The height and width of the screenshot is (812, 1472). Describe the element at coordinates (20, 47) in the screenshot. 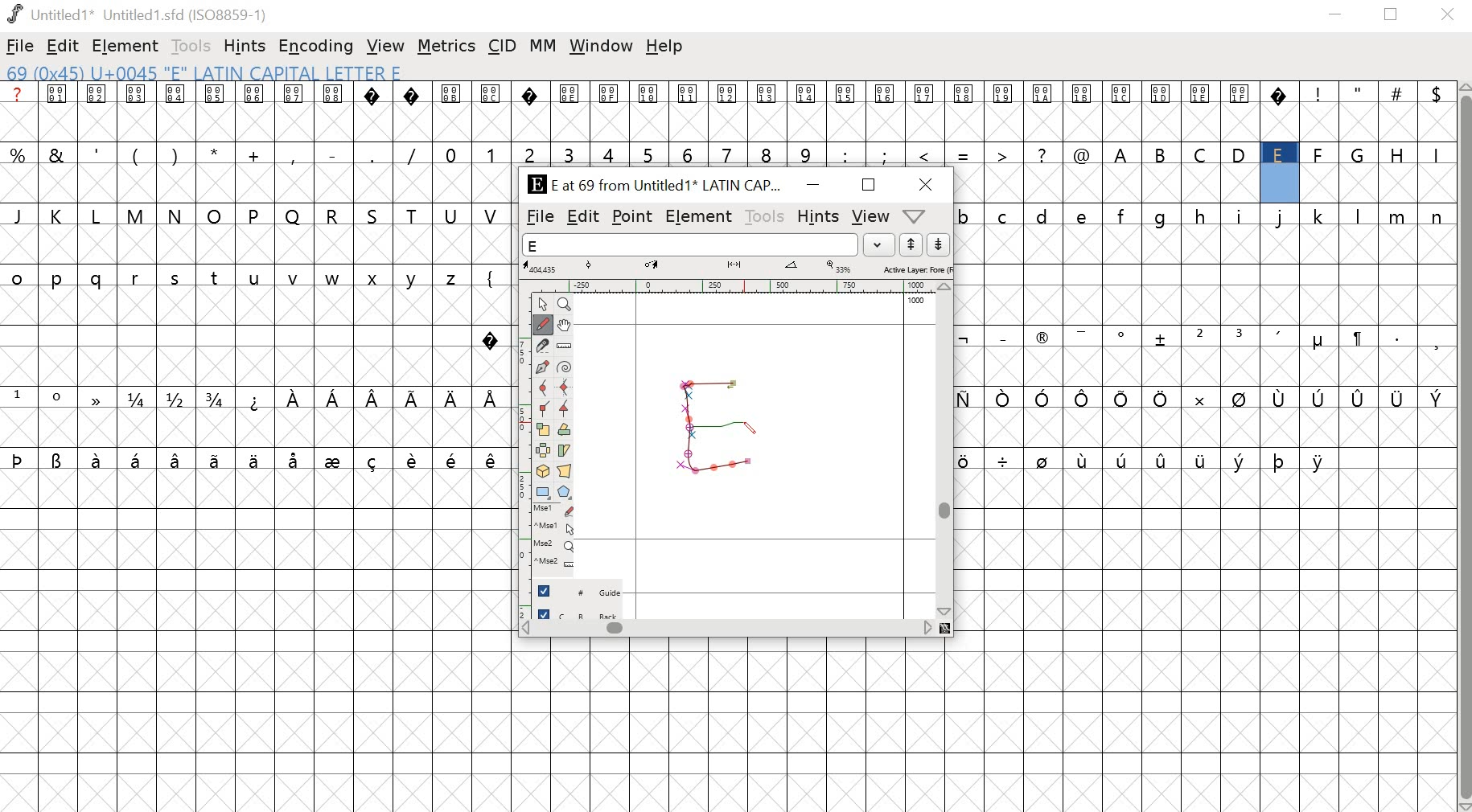

I see `file` at that location.